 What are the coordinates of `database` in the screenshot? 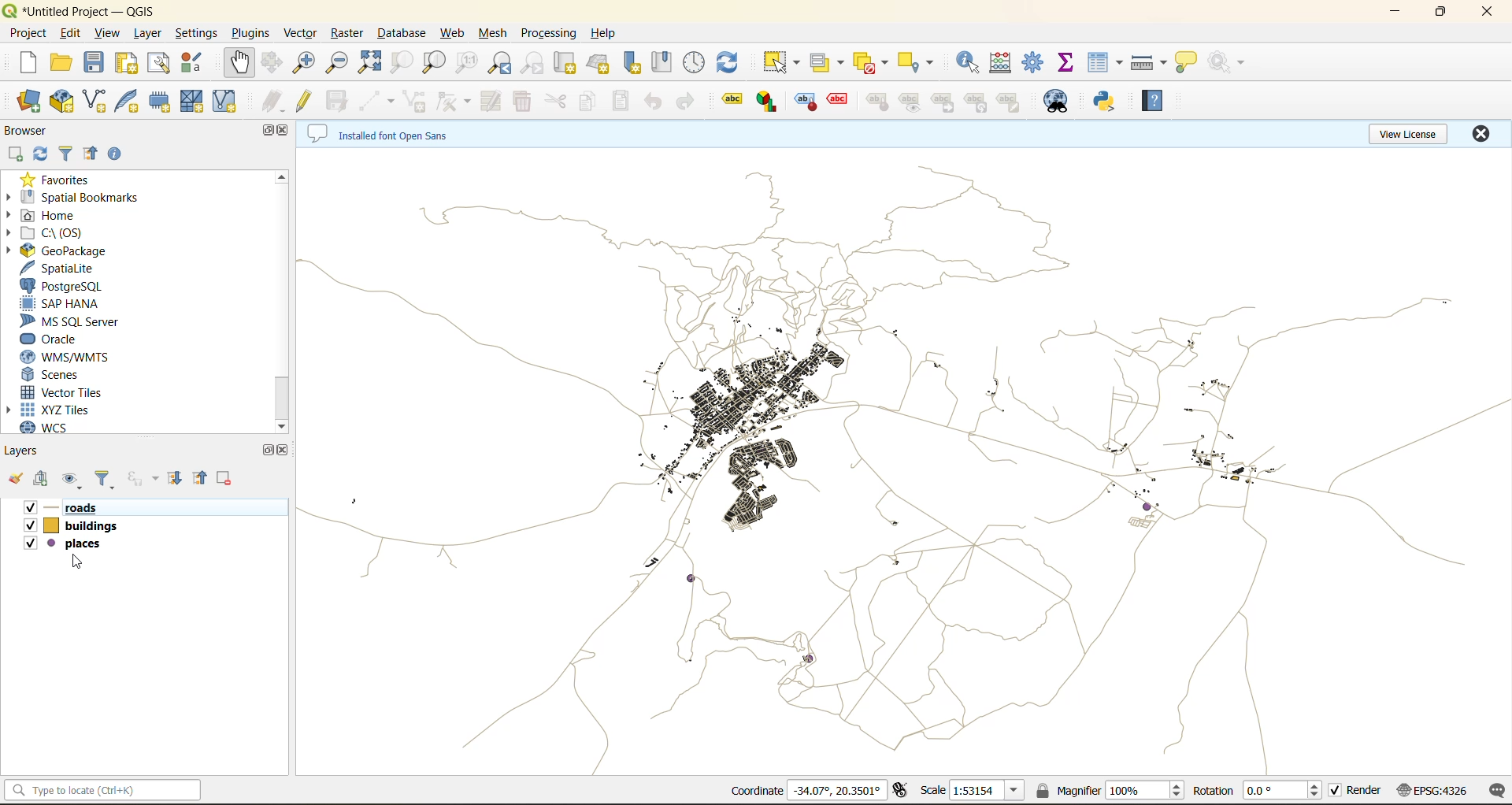 It's located at (402, 34).